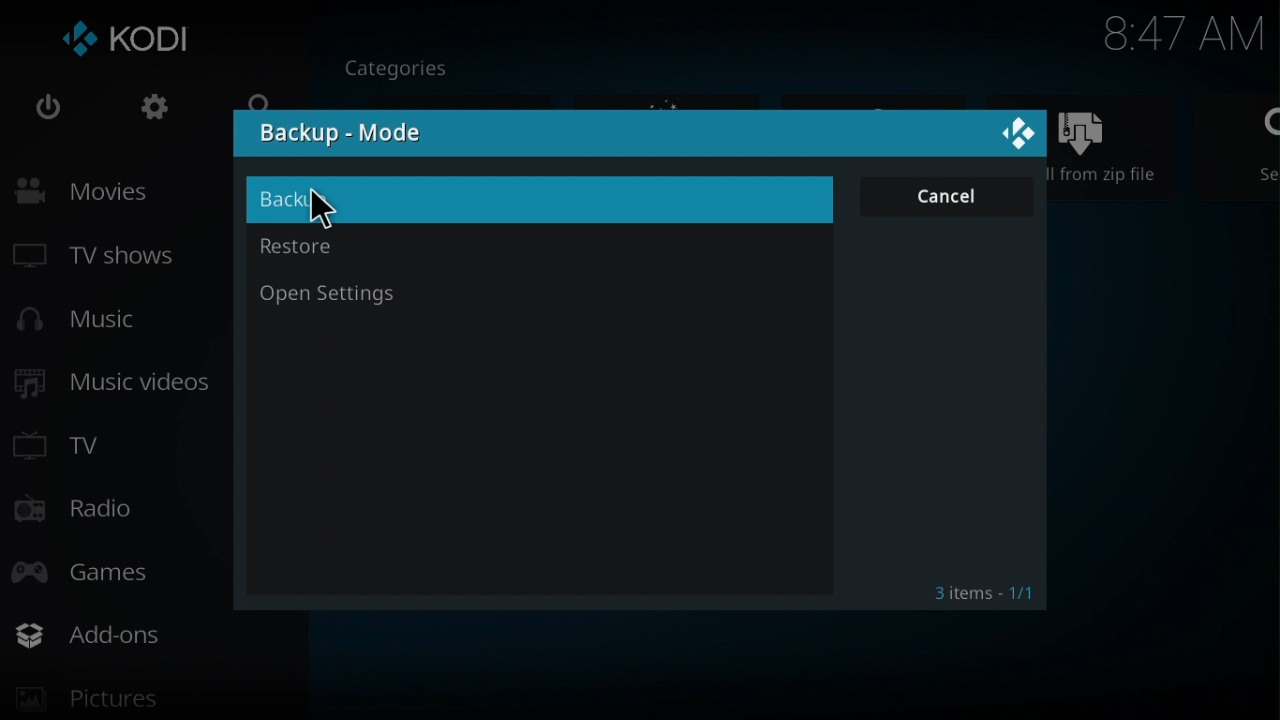 The height and width of the screenshot is (720, 1280). I want to click on TV, so click(71, 442).